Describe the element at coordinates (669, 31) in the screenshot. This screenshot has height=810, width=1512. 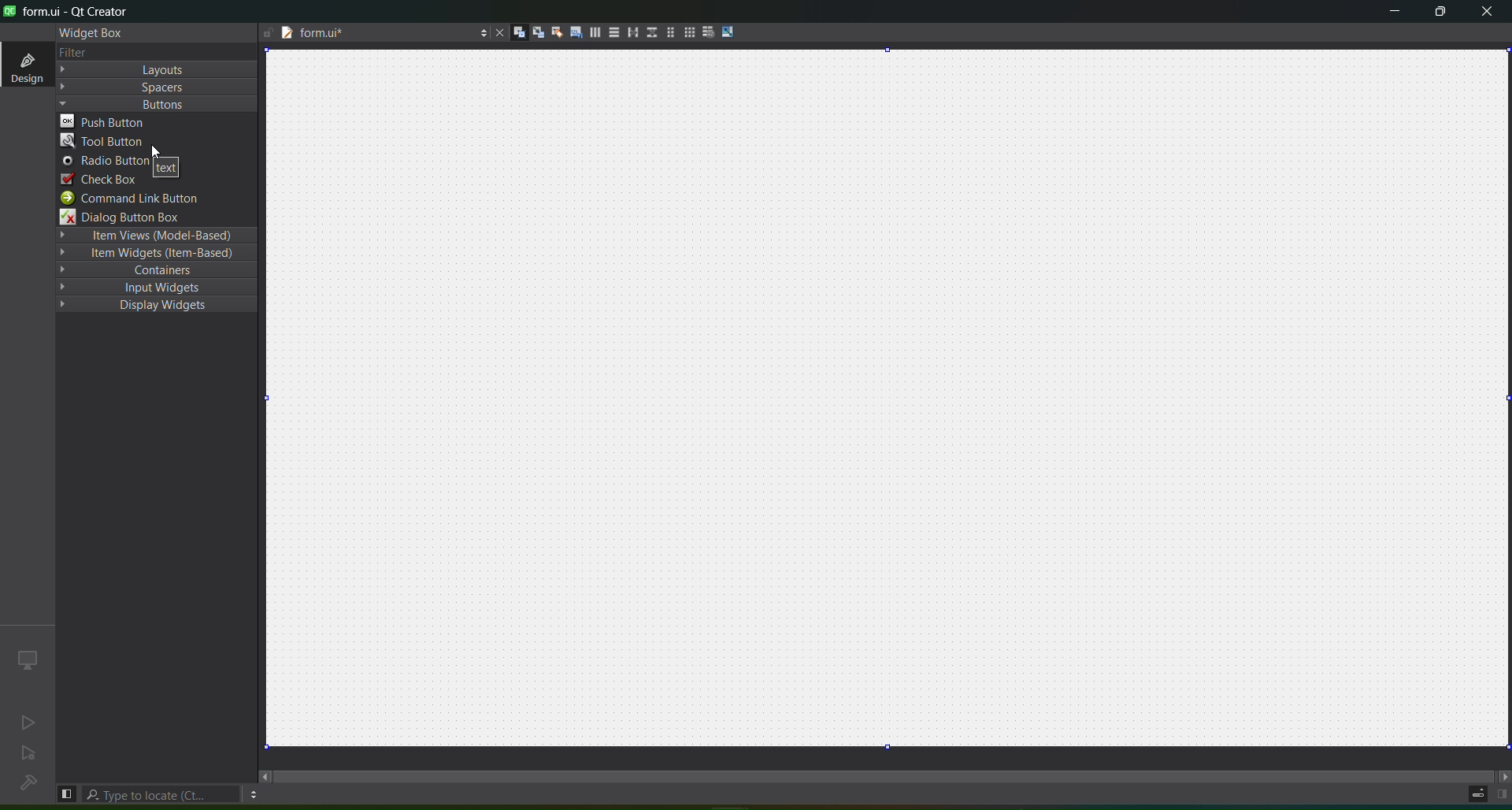
I see `layout in a form layout` at that location.